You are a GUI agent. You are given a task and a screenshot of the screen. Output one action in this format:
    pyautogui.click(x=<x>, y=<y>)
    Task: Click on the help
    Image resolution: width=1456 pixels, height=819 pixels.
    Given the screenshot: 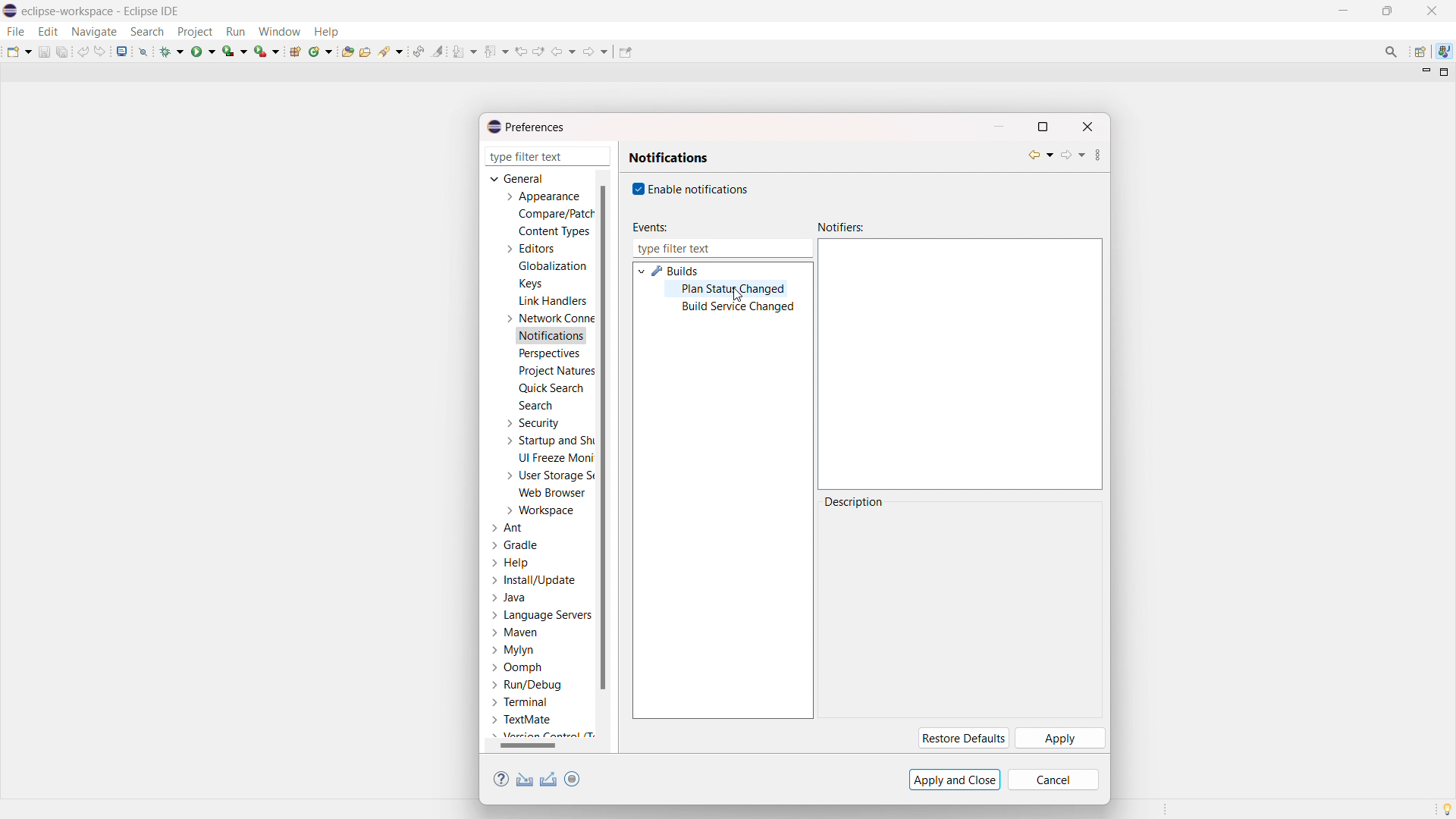 What is the action you would take?
    pyautogui.click(x=511, y=563)
    